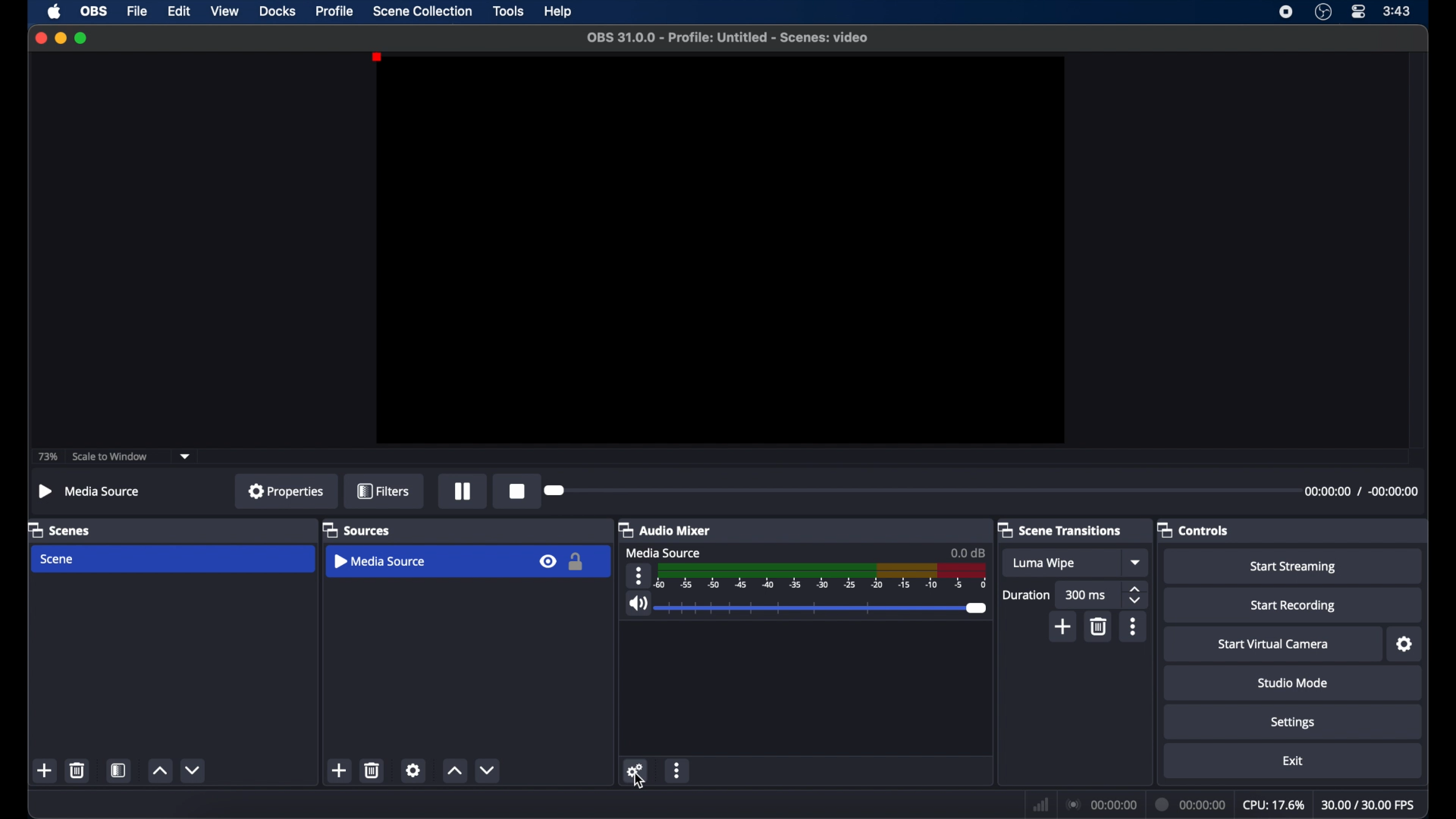 The width and height of the screenshot is (1456, 819). I want to click on start virtual camera, so click(1272, 645).